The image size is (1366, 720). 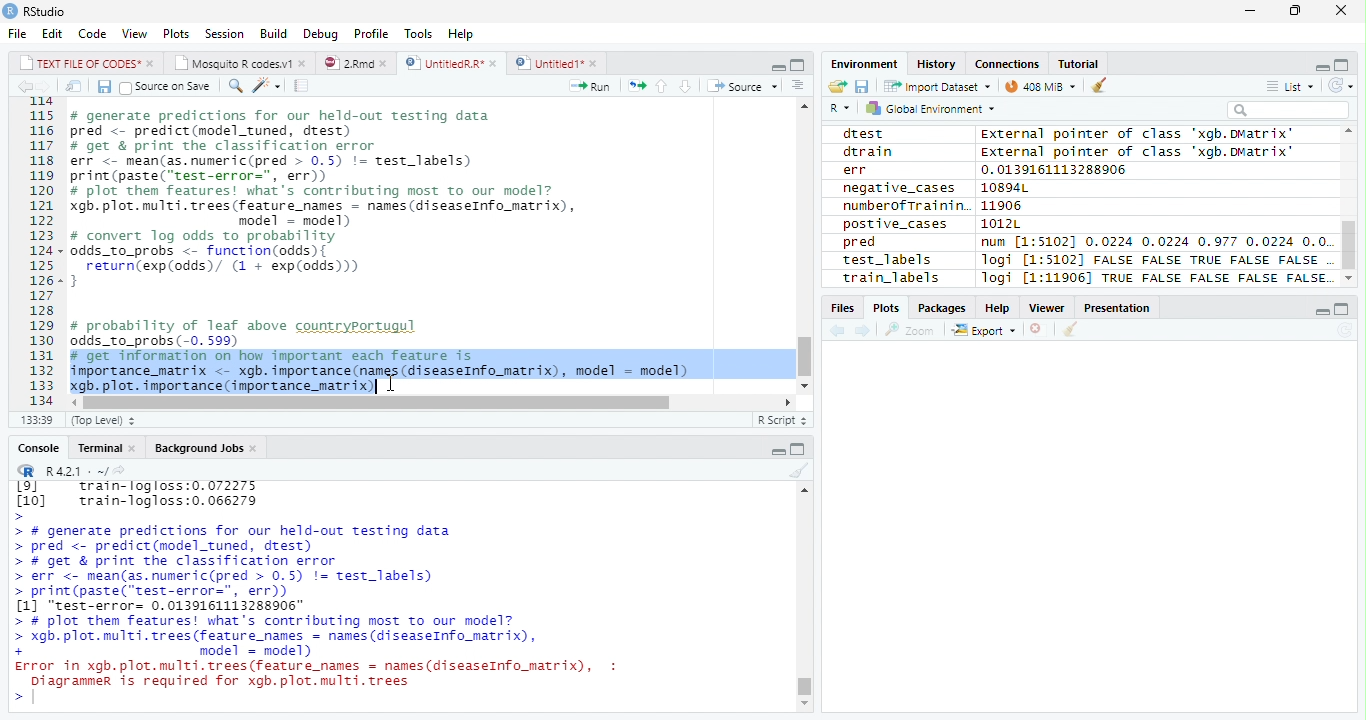 I want to click on dtest, so click(x=862, y=133).